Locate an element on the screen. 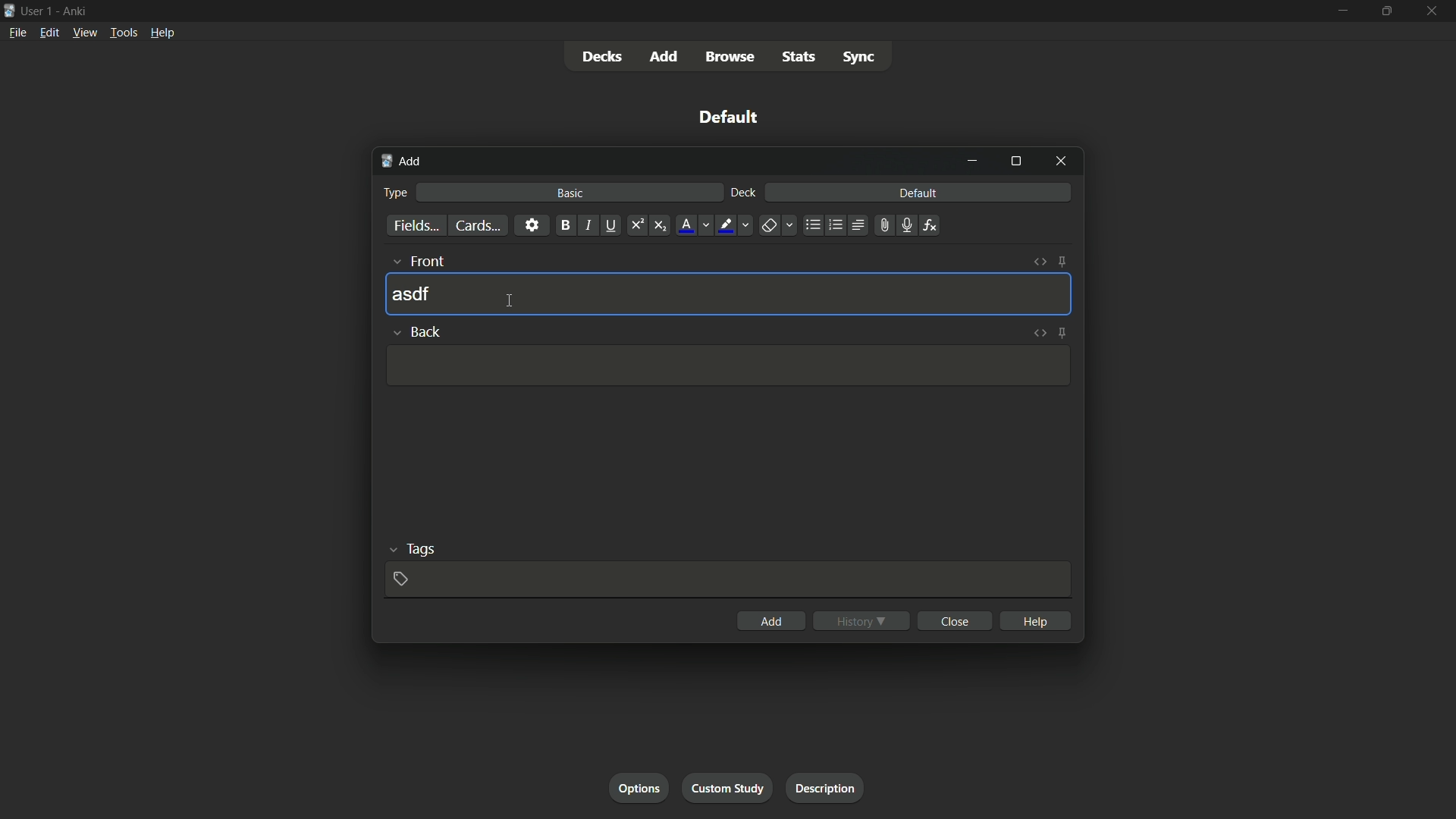 Image resolution: width=1456 pixels, height=819 pixels. front is located at coordinates (417, 260).